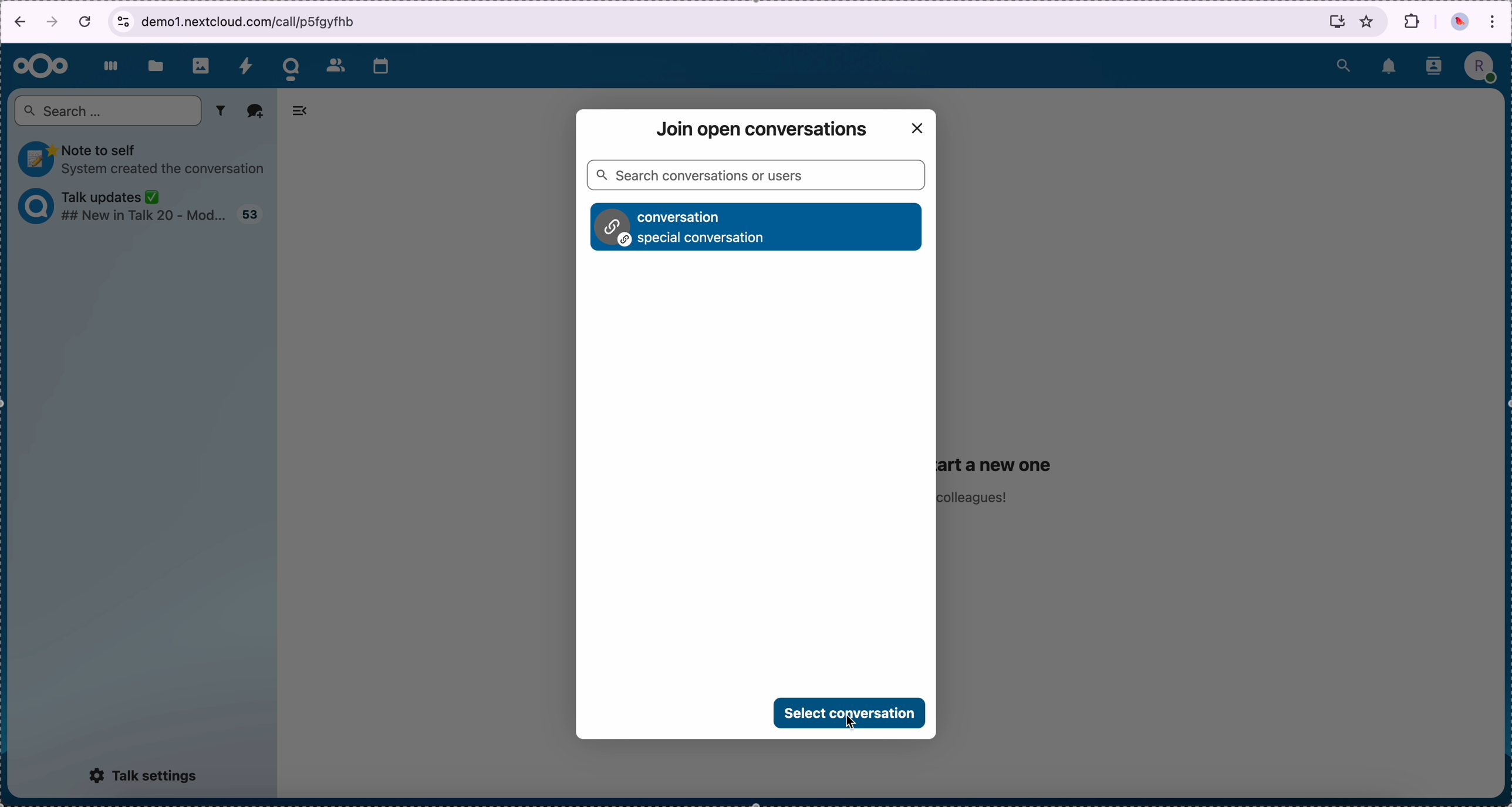 This screenshot has height=807, width=1512. I want to click on Nextcloud logo, so click(40, 67).